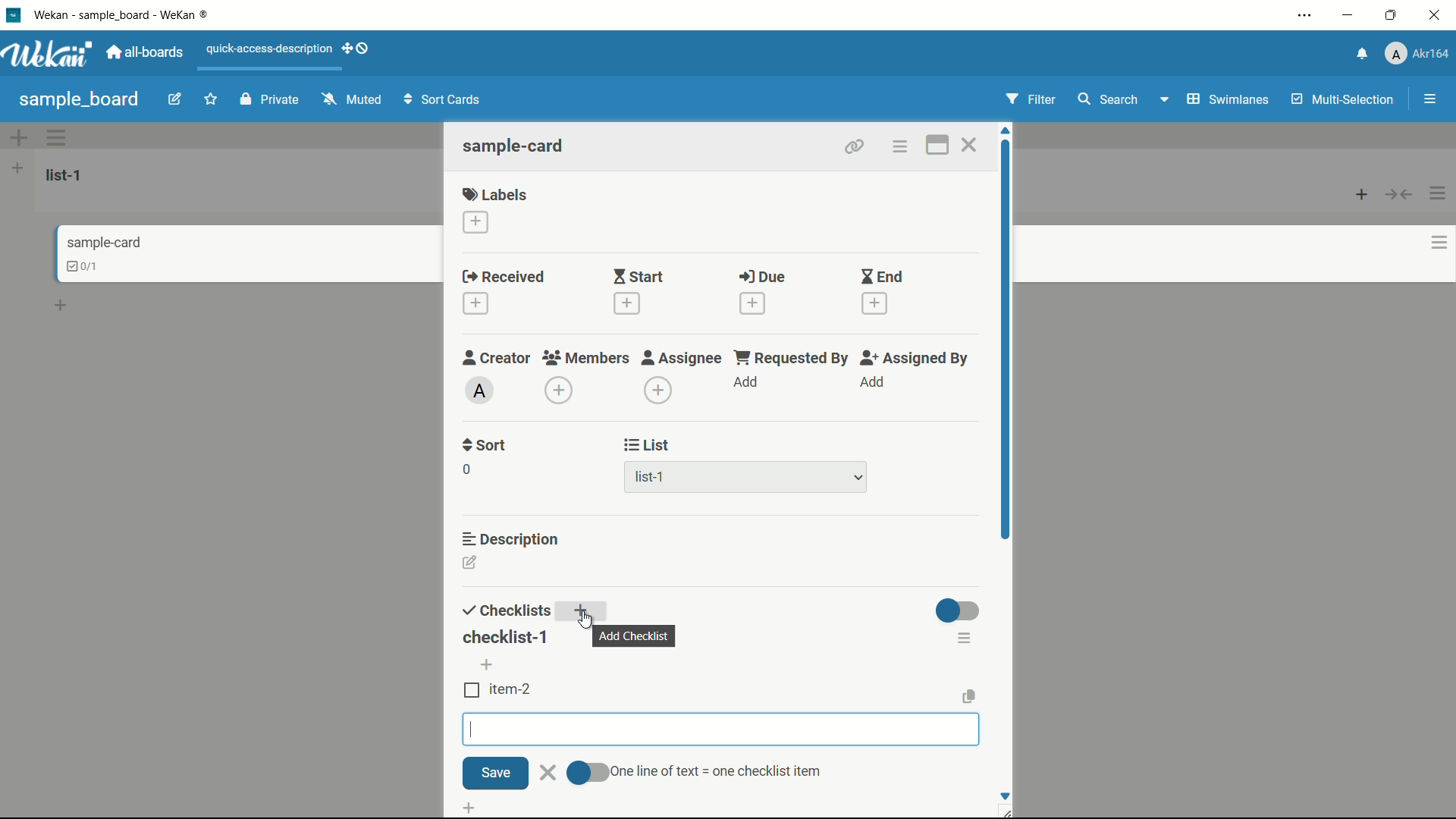 The image size is (1456, 819). Describe the element at coordinates (13, 14) in the screenshot. I see `app icon` at that location.